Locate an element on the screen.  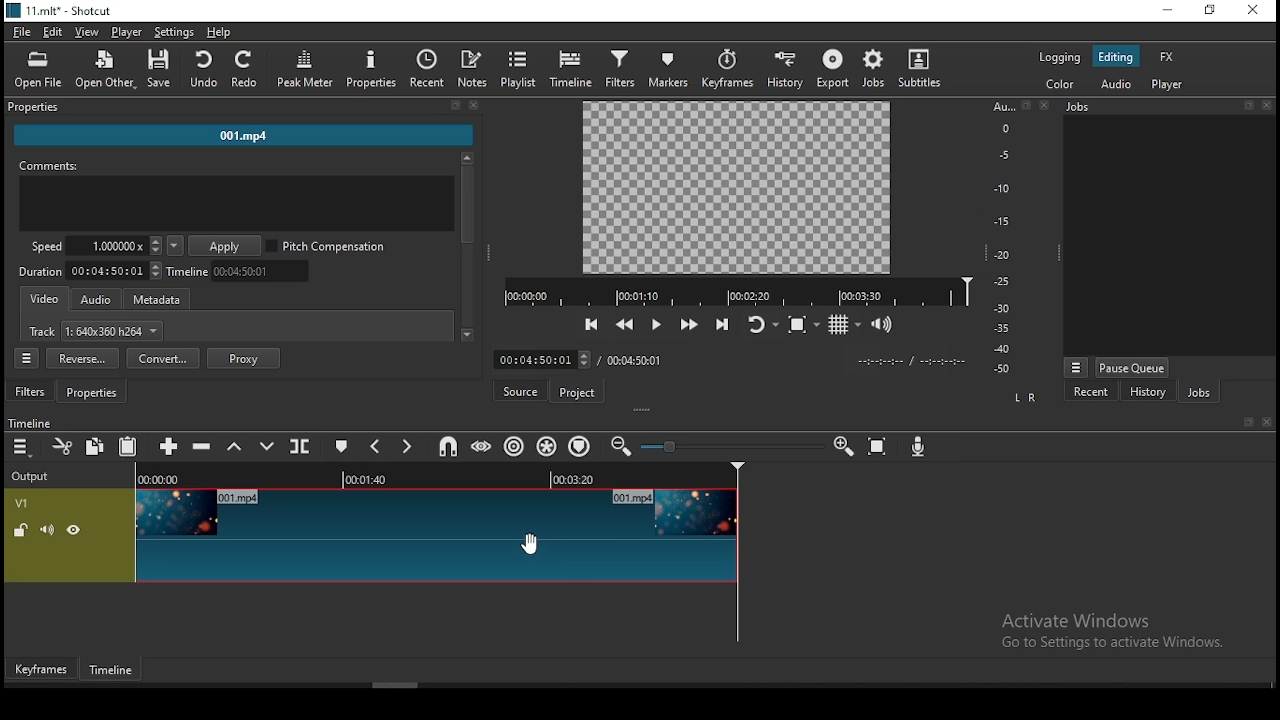
save is located at coordinates (163, 68).